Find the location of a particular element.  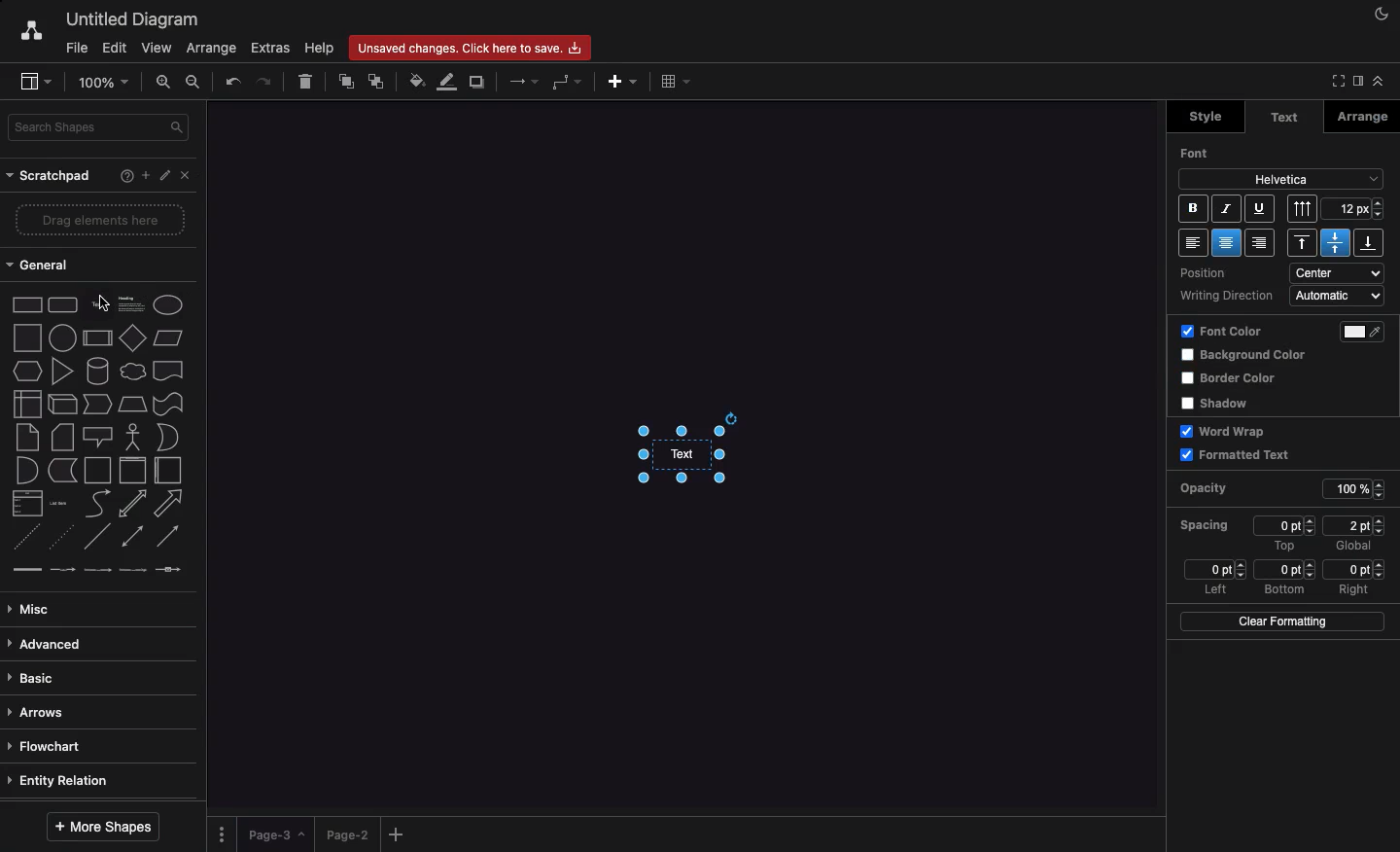

100% is located at coordinates (1357, 490).